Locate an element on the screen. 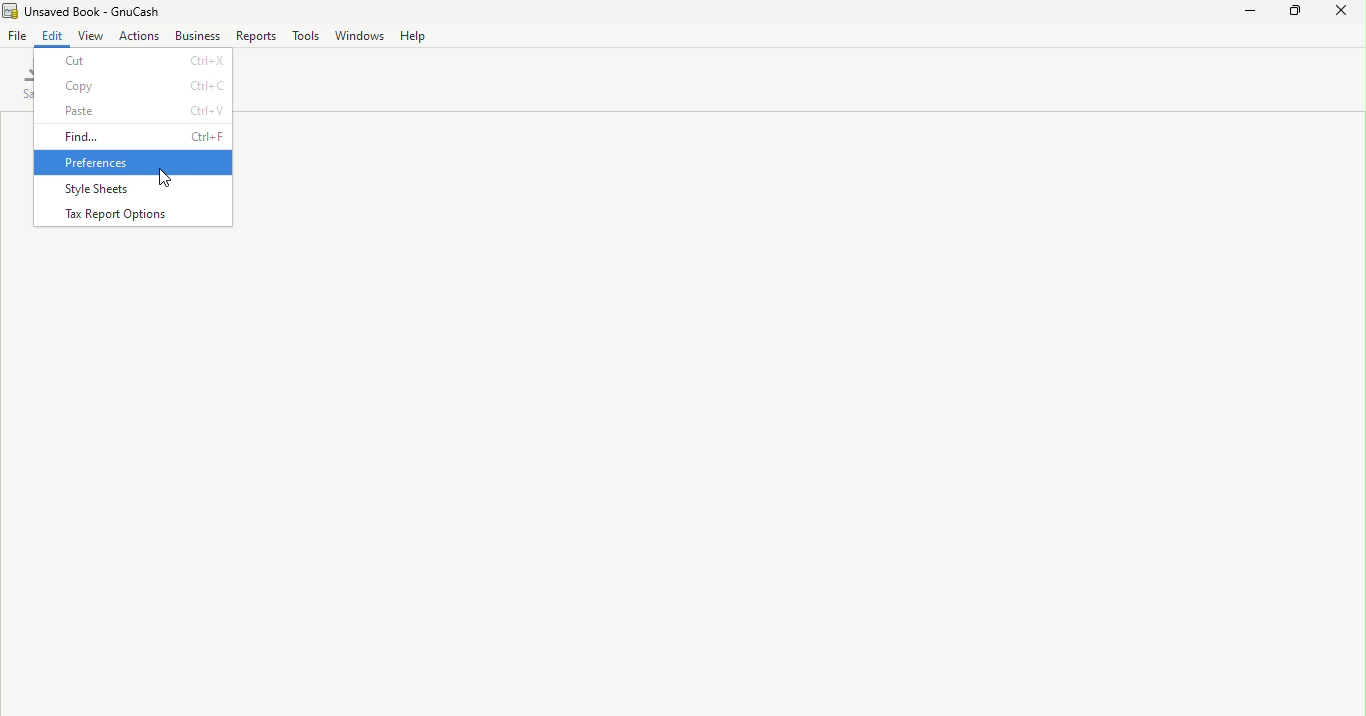 This screenshot has height=716, width=1366. Minimize is located at coordinates (1251, 12).